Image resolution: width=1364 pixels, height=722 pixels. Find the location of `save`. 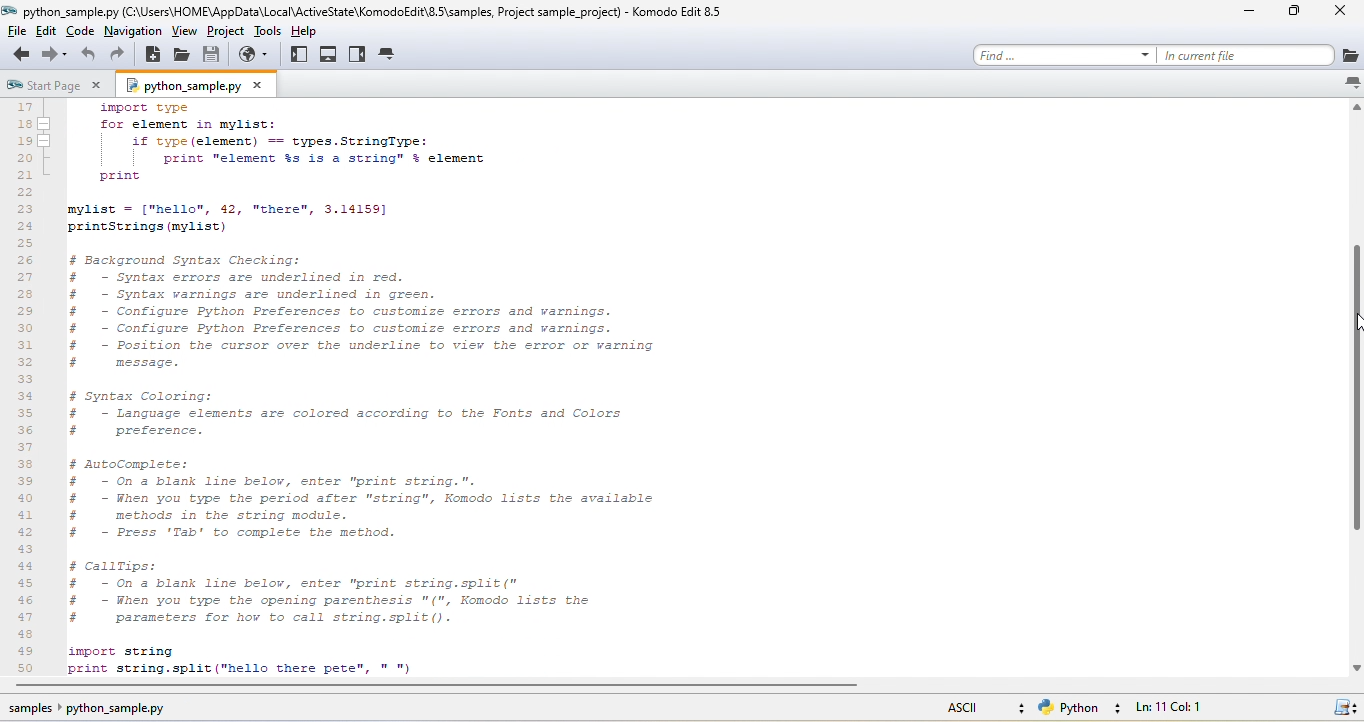

save is located at coordinates (213, 54).